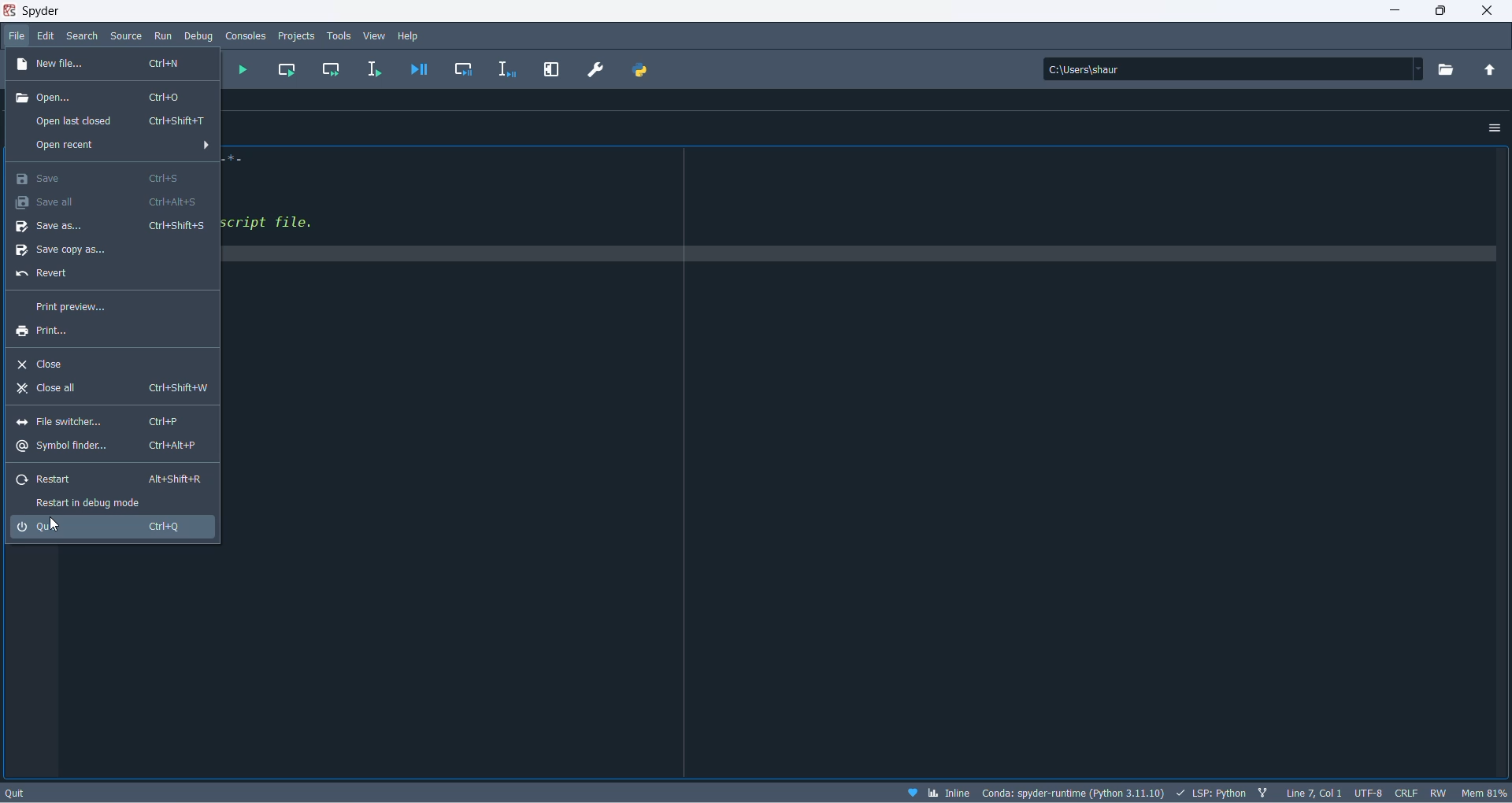 Image resolution: width=1512 pixels, height=803 pixels. I want to click on consoles, so click(247, 36).